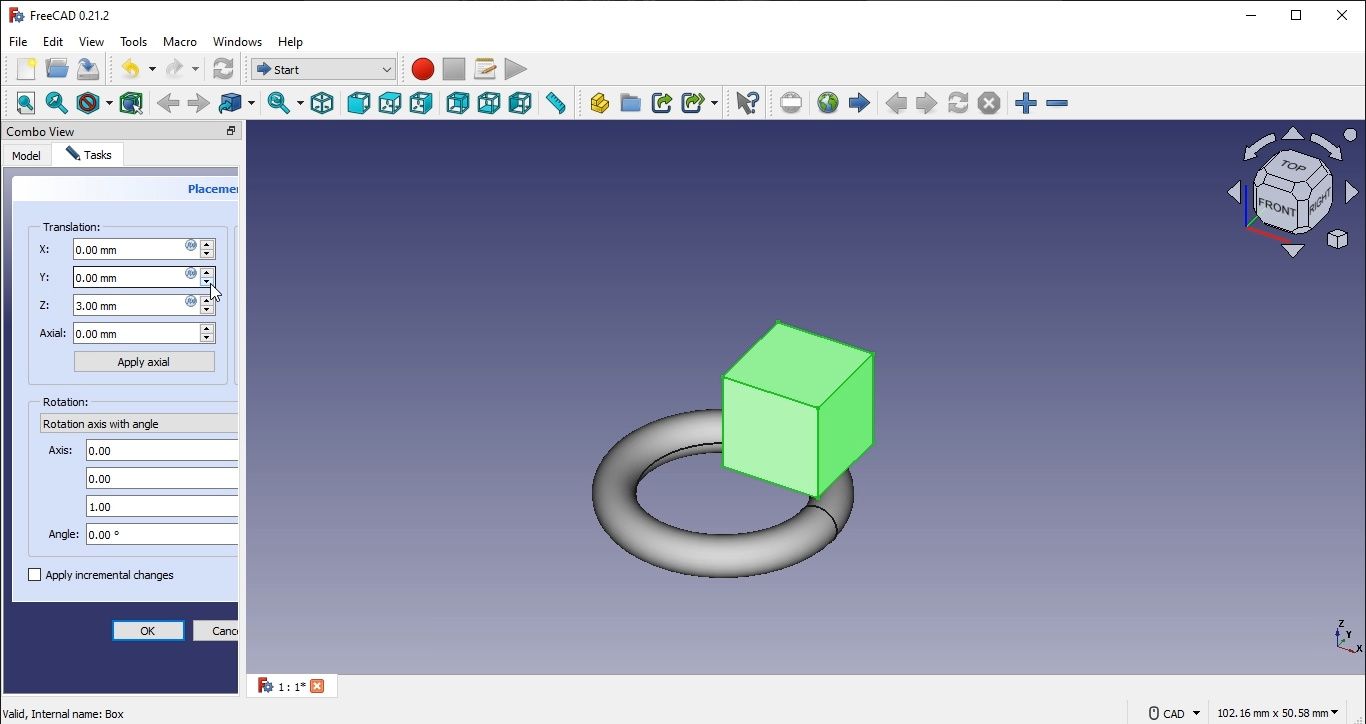  I want to click on model, so click(26, 154).